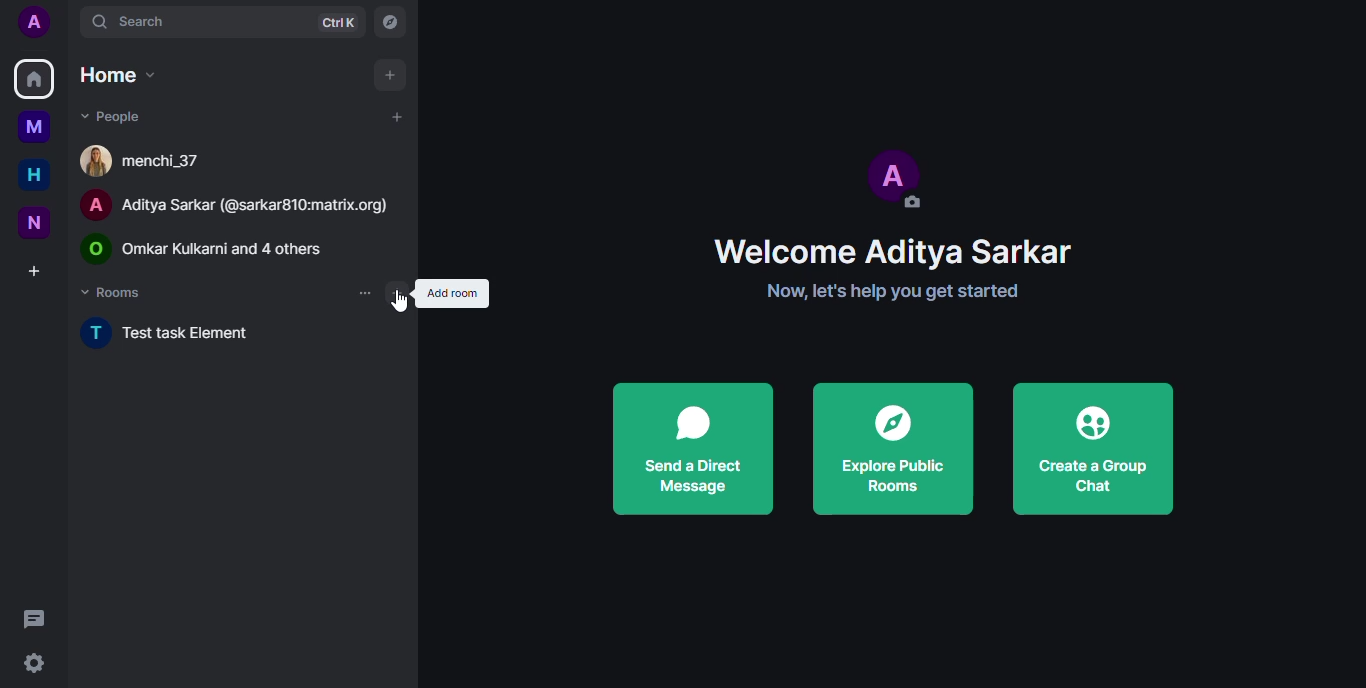 This screenshot has width=1366, height=688. I want to click on ctrlK, so click(339, 22).